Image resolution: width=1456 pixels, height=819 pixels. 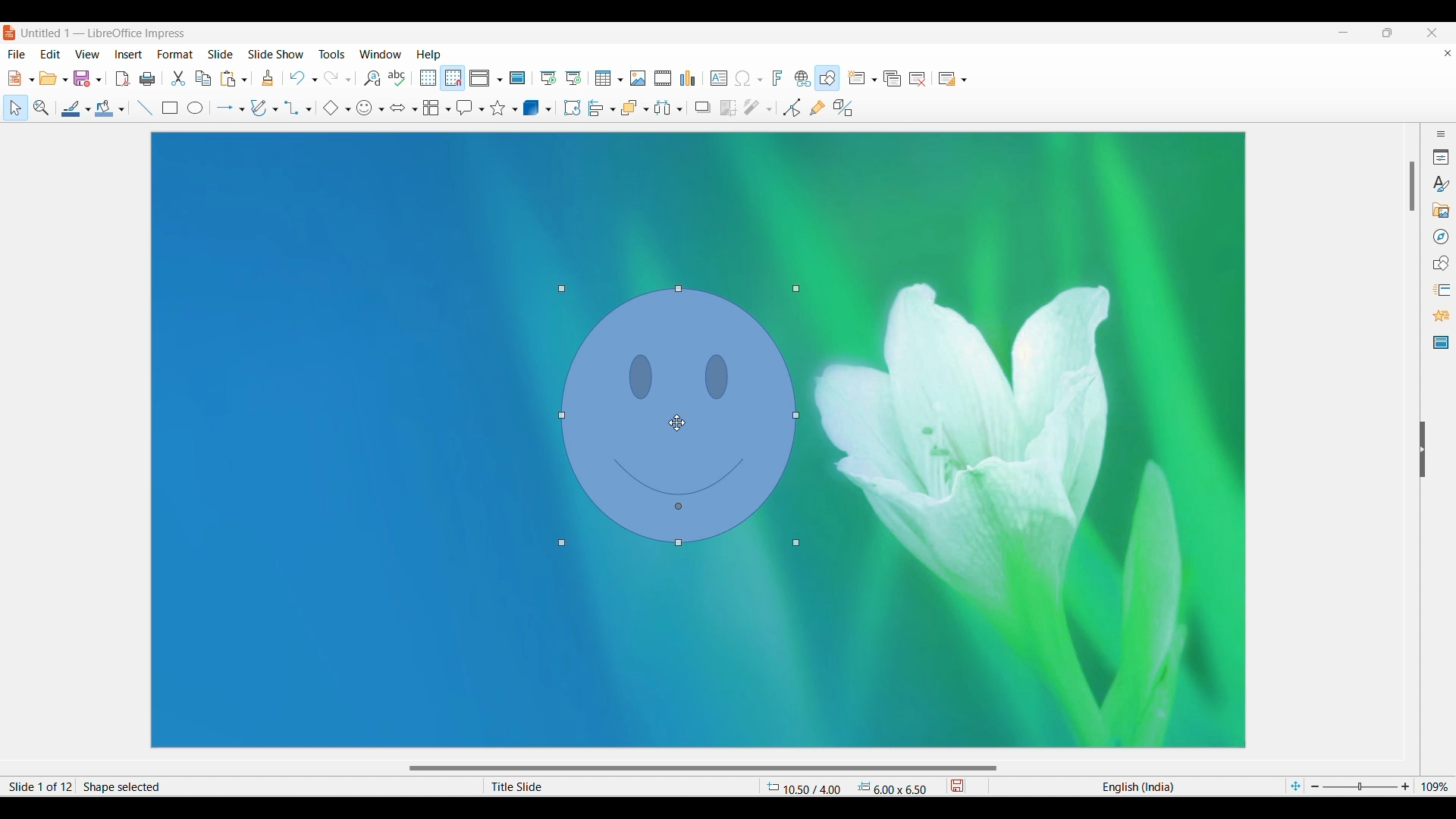 I want to click on Selected alignment, so click(x=597, y=108).